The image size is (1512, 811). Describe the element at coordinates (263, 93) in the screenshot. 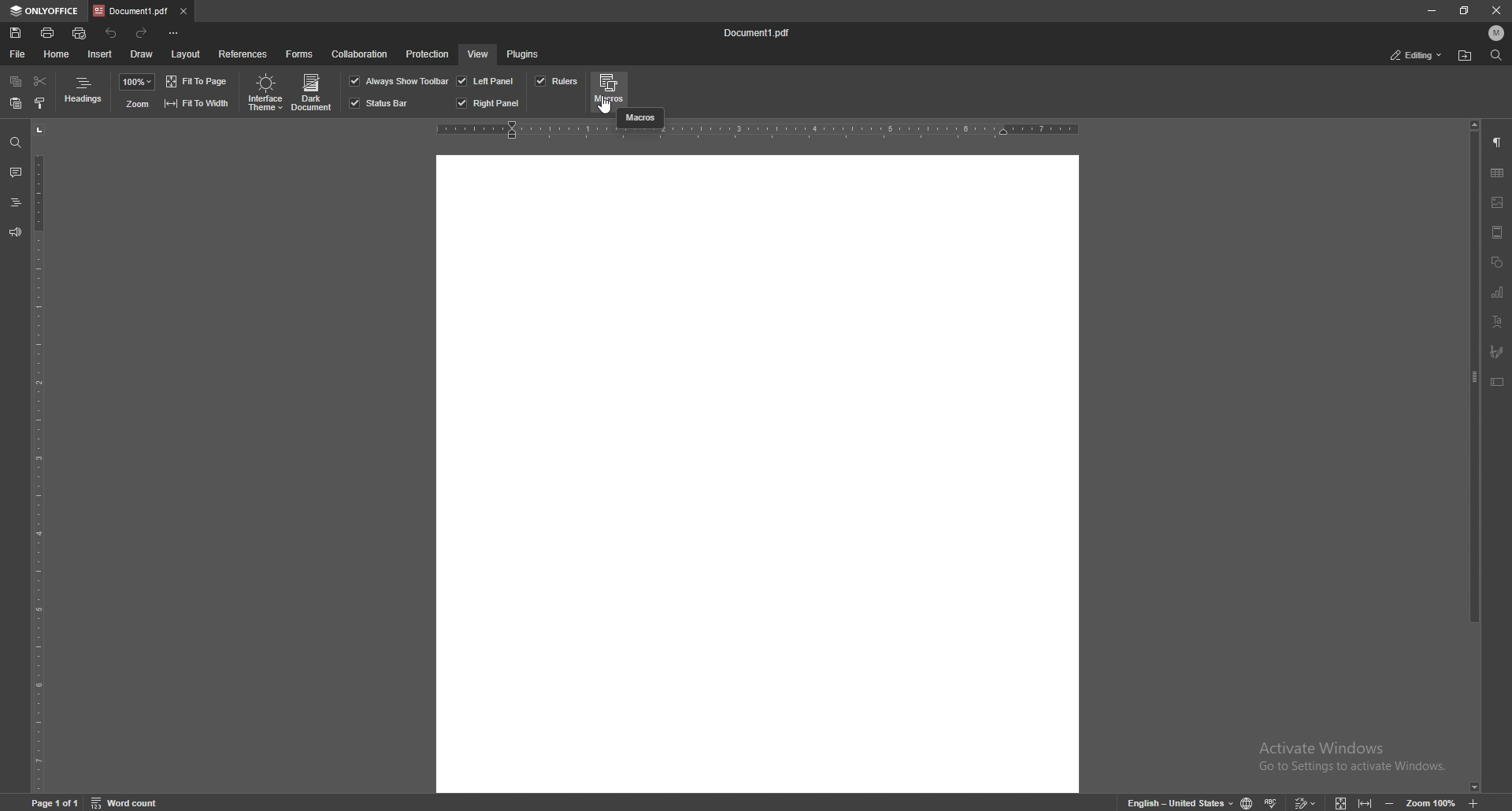

I see `interface theme` at that location.